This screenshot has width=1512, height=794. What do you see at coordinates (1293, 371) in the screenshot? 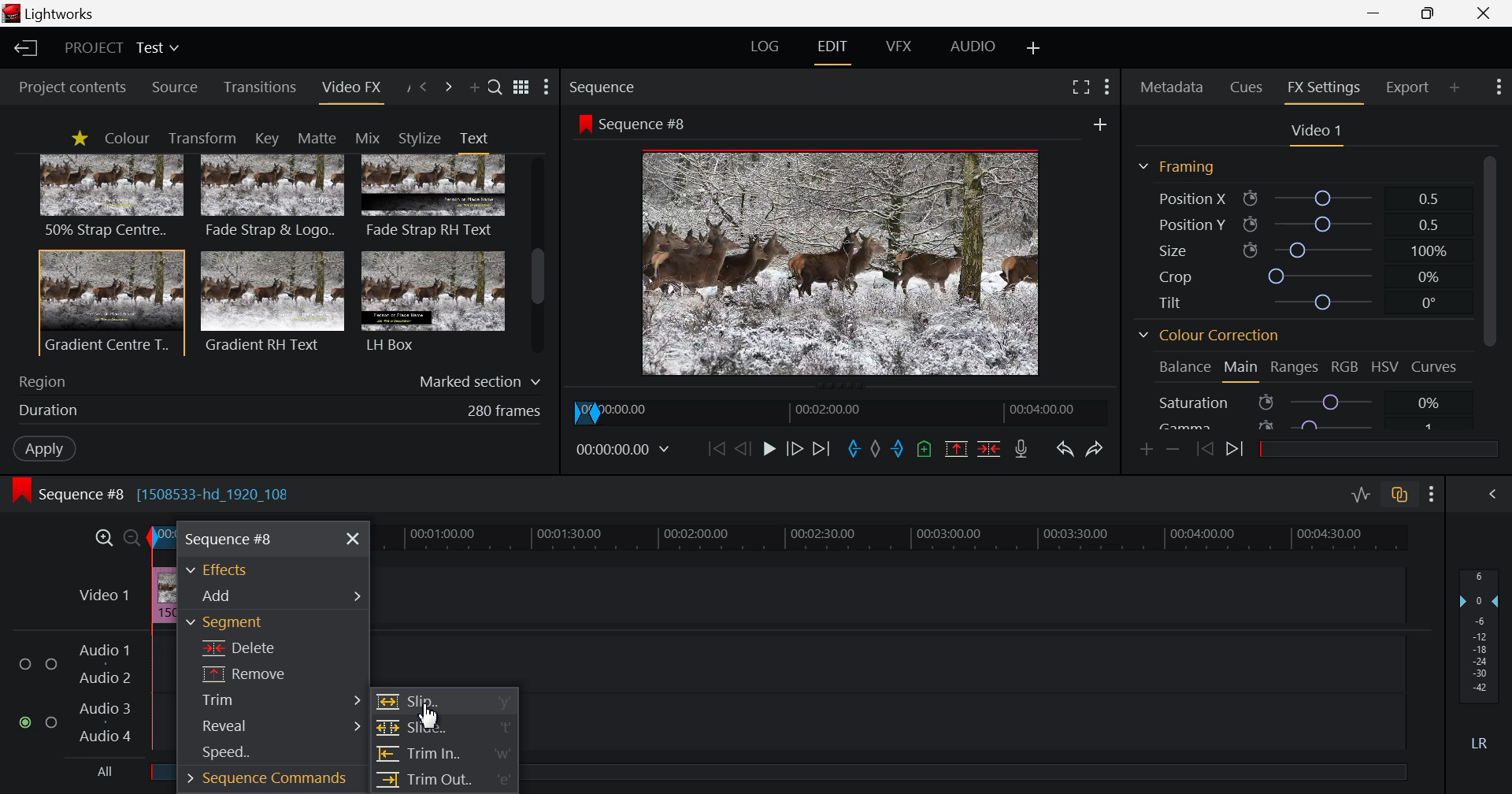
I see `Ranges` at bounding box center [1293, 371].